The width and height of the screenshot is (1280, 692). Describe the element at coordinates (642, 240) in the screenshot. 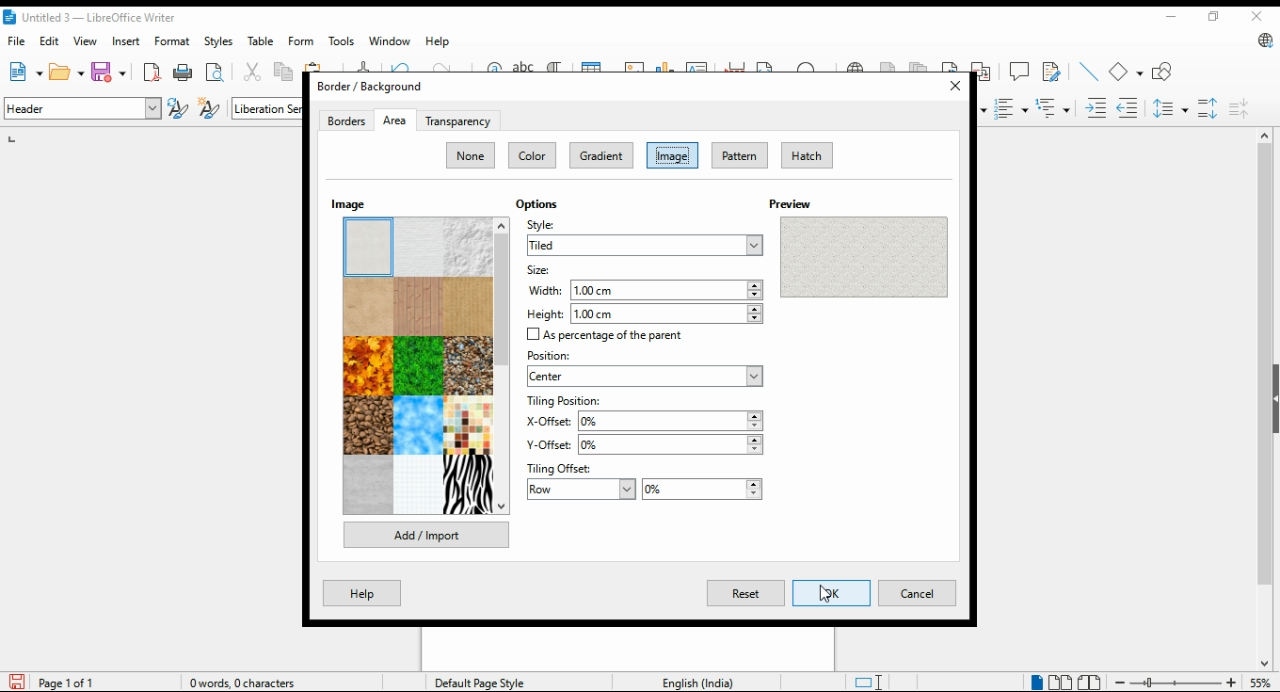

I see `style` at that location.